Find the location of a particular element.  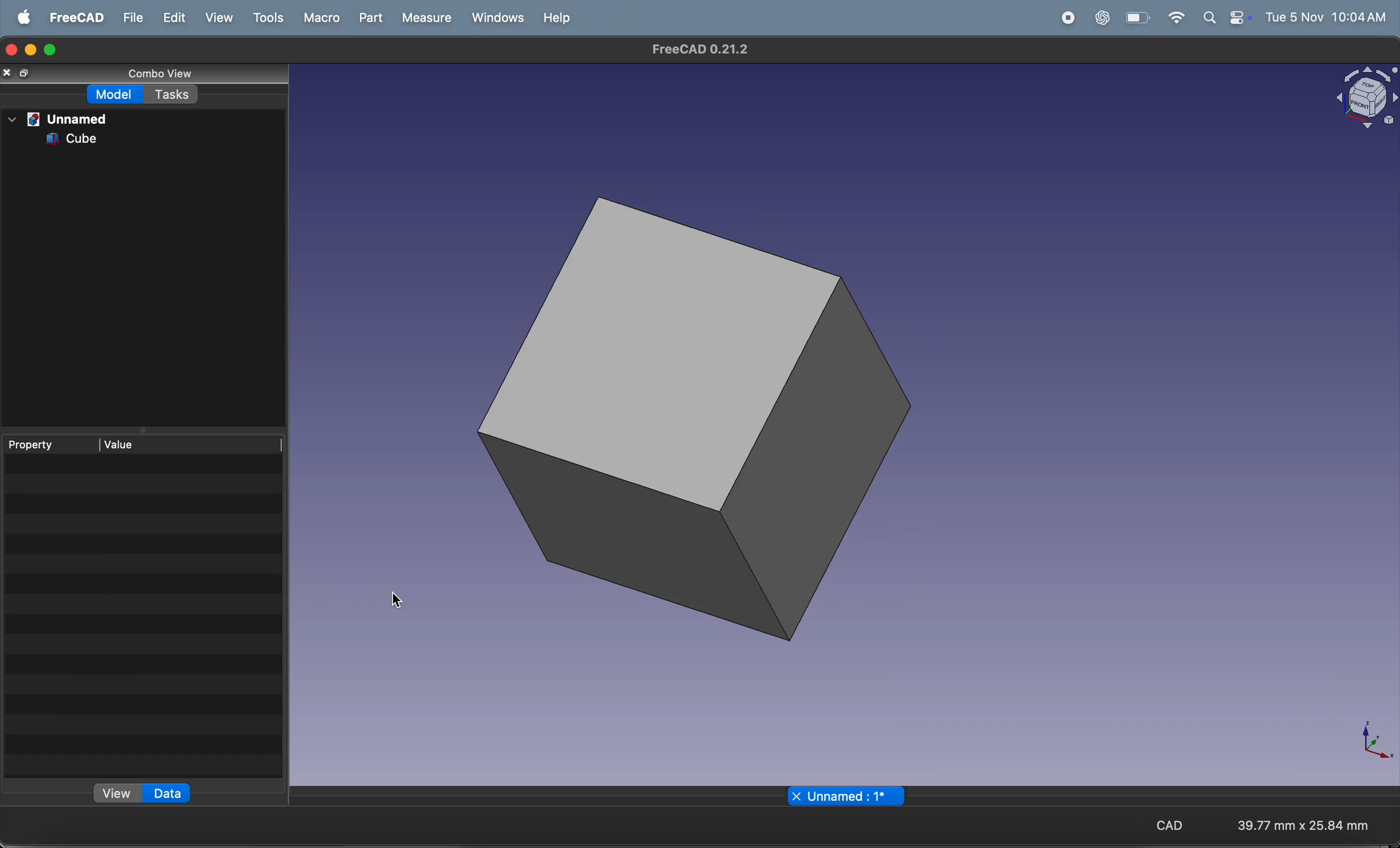

help is located at coordinates (559, 18).